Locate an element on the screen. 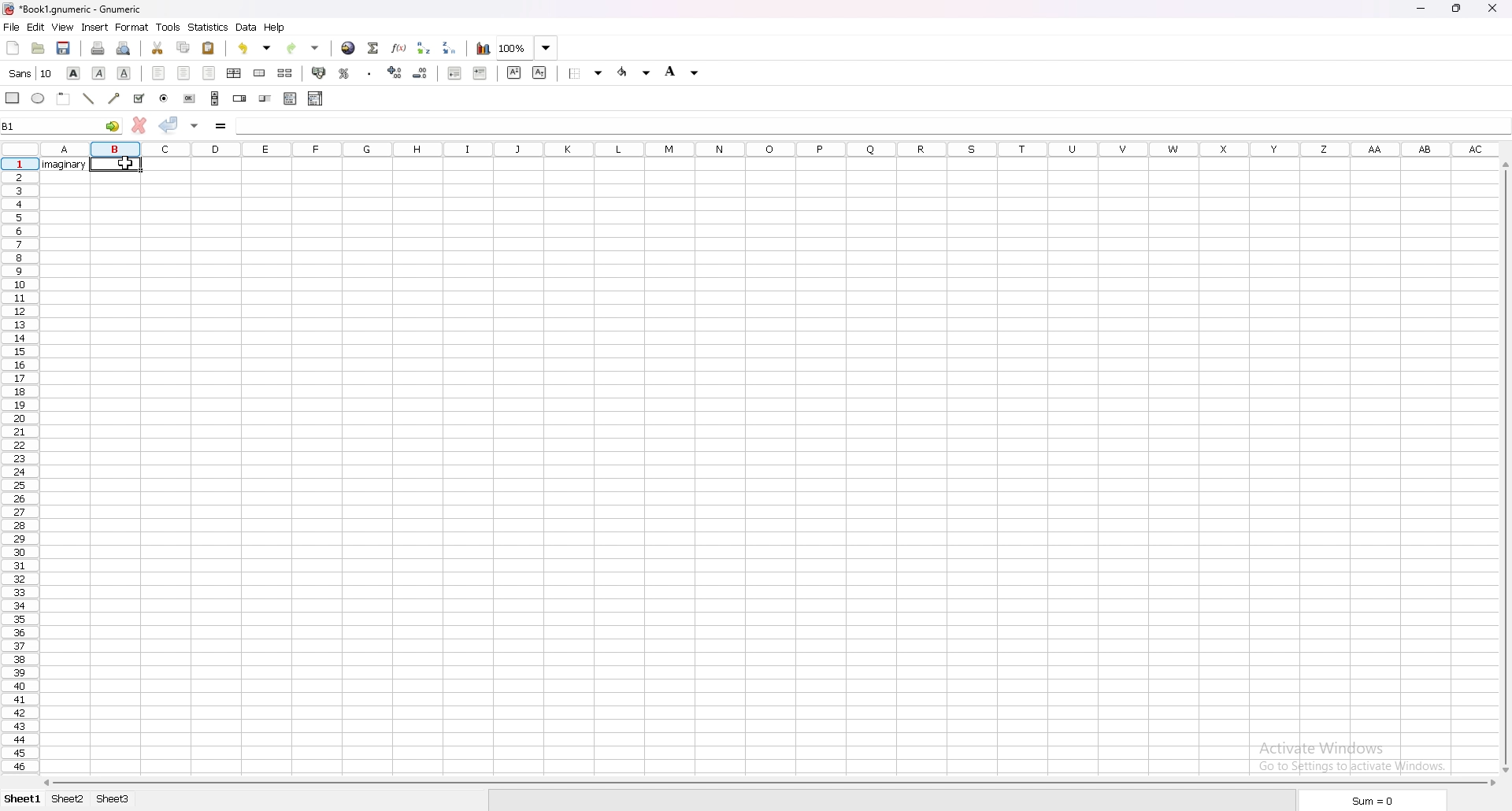 Image resolution: width=1512 pixels, height=811 pixels. underline is located at coordinates (125, 73).